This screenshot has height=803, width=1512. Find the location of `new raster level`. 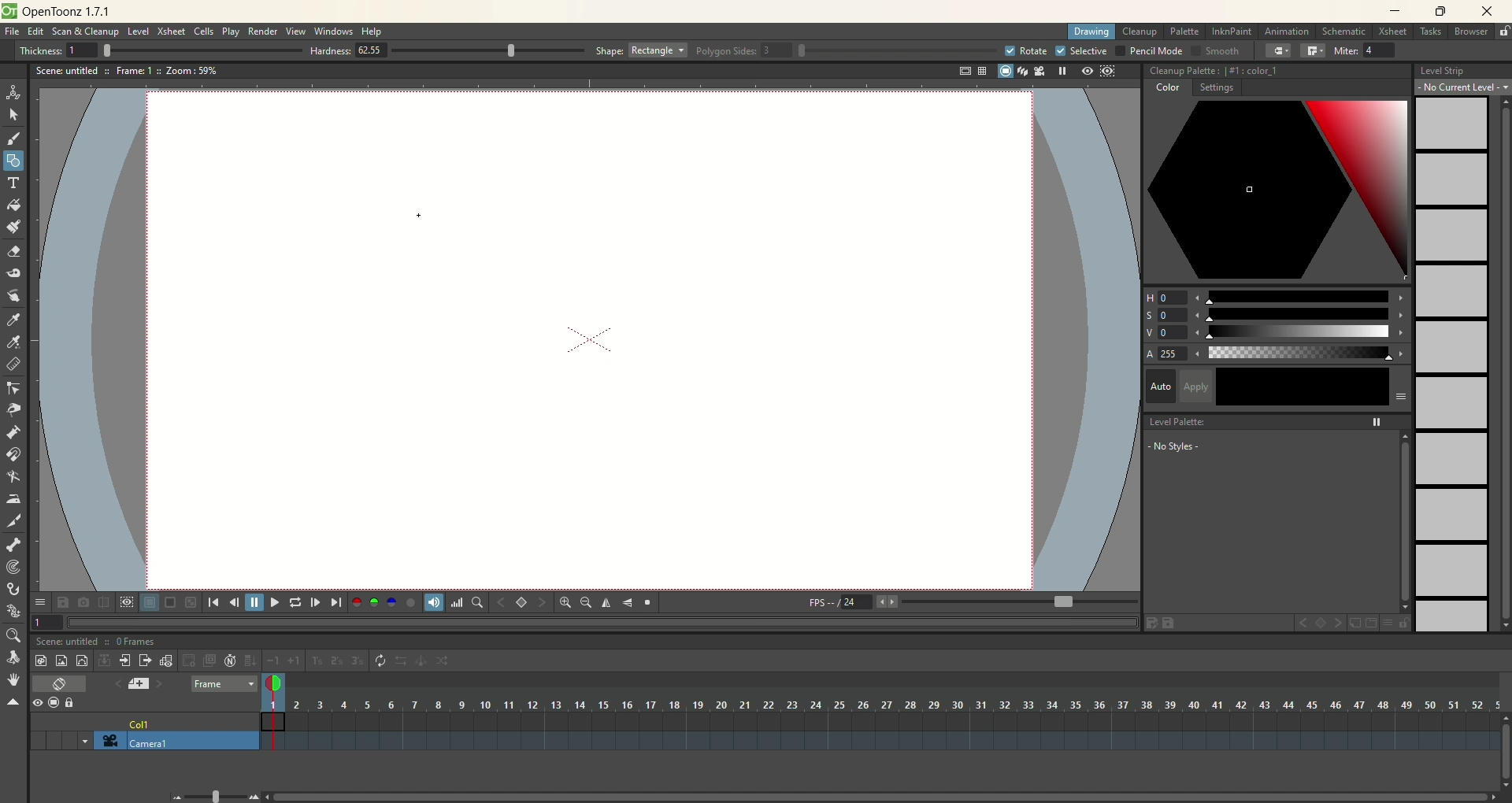

new raster level is located at coordinates (61, 660).